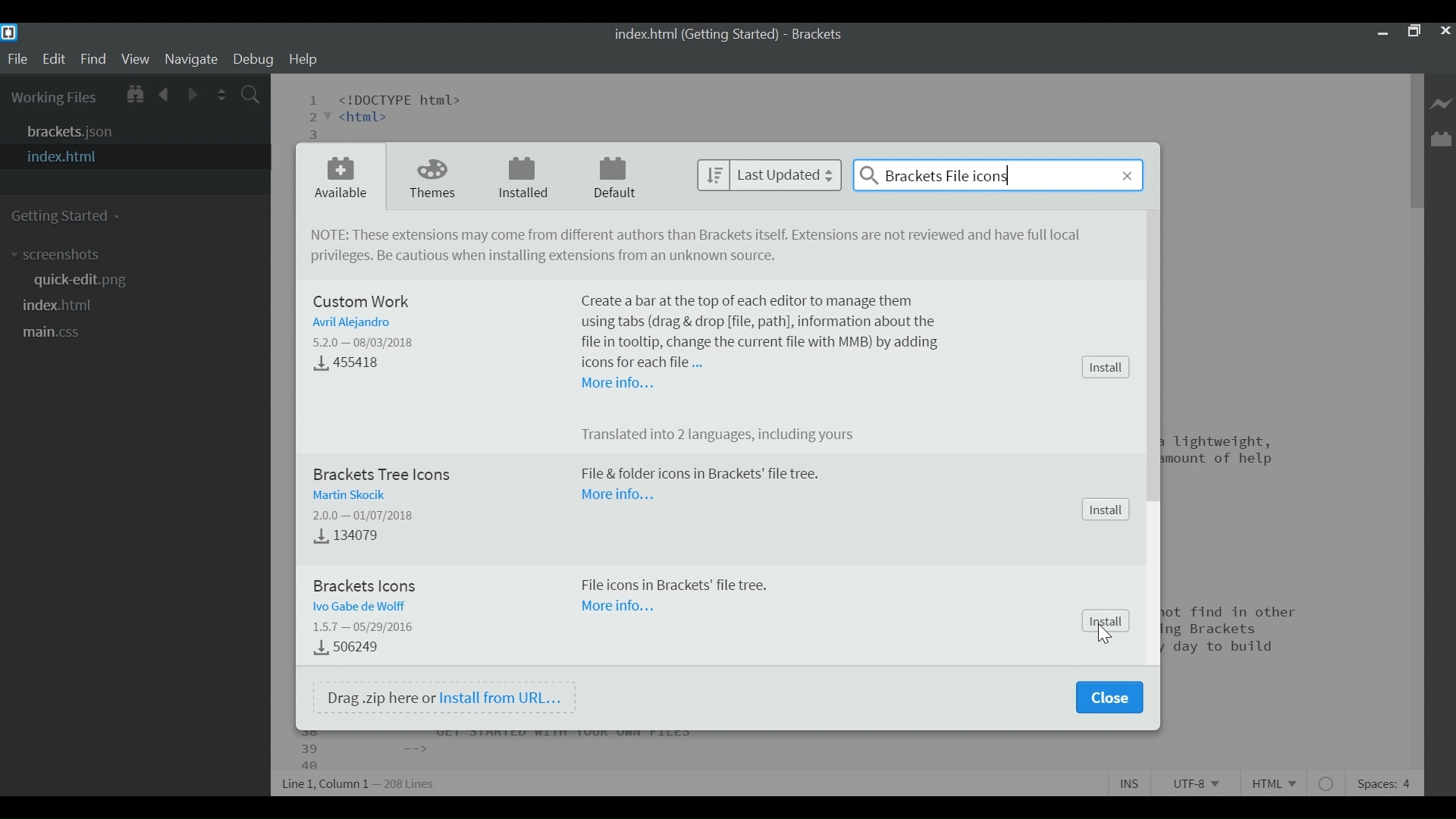 This screenshot has width=1456, height=819. Describe the element at coordinates (63, 255) in the screenshot. I see `screenshot` at that location.